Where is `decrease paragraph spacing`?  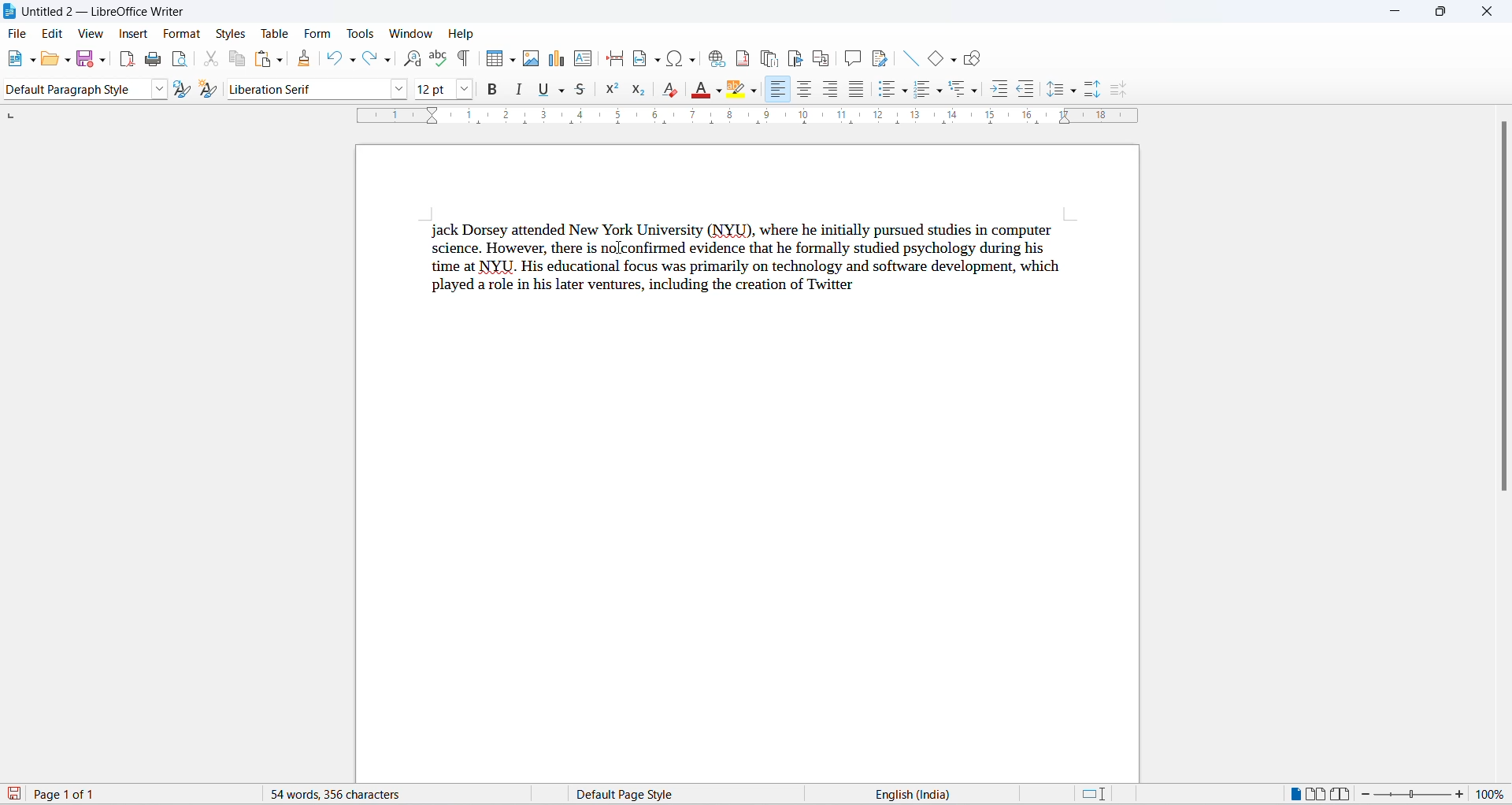
decrease paragraph spacing is located at coordinates (1119, 90).